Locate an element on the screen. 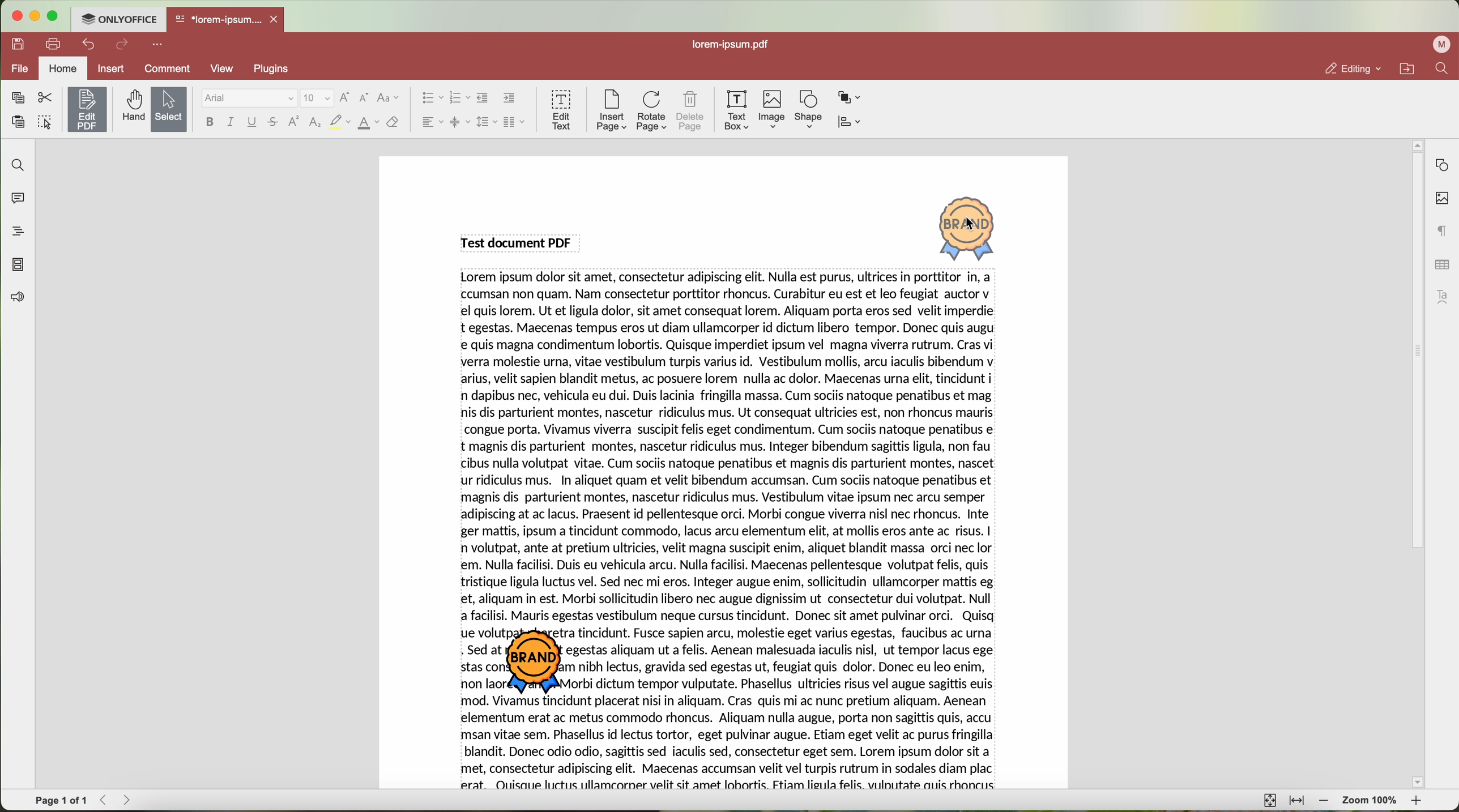 The image size is (1459, 812). insert is located at coordinates (110, 68).